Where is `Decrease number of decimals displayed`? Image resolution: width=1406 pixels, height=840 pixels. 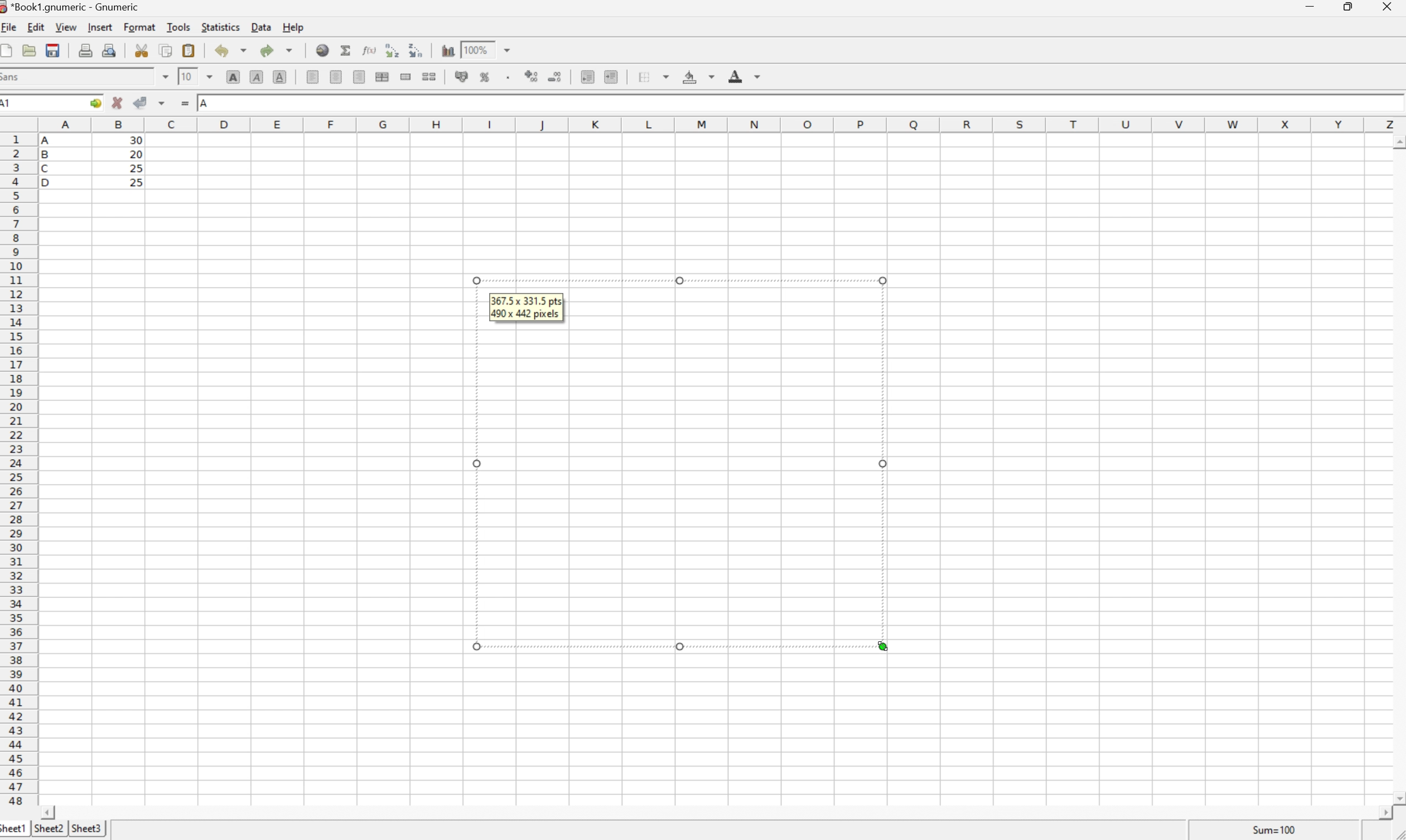 Decrease number of decimals displayed is located at coordinates (557, 78).